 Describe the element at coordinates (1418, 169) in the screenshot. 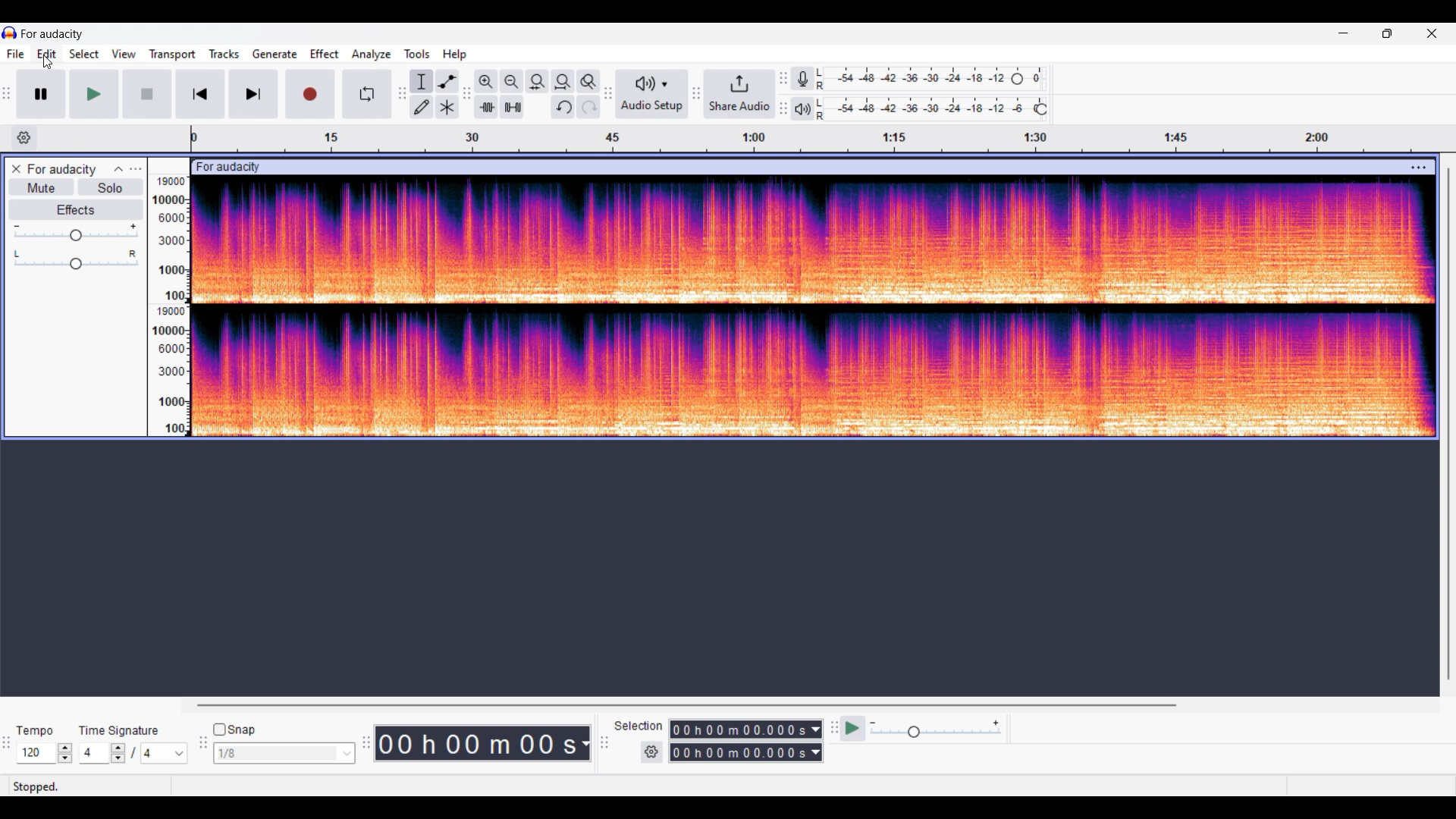

I see `Track settings` at that location.